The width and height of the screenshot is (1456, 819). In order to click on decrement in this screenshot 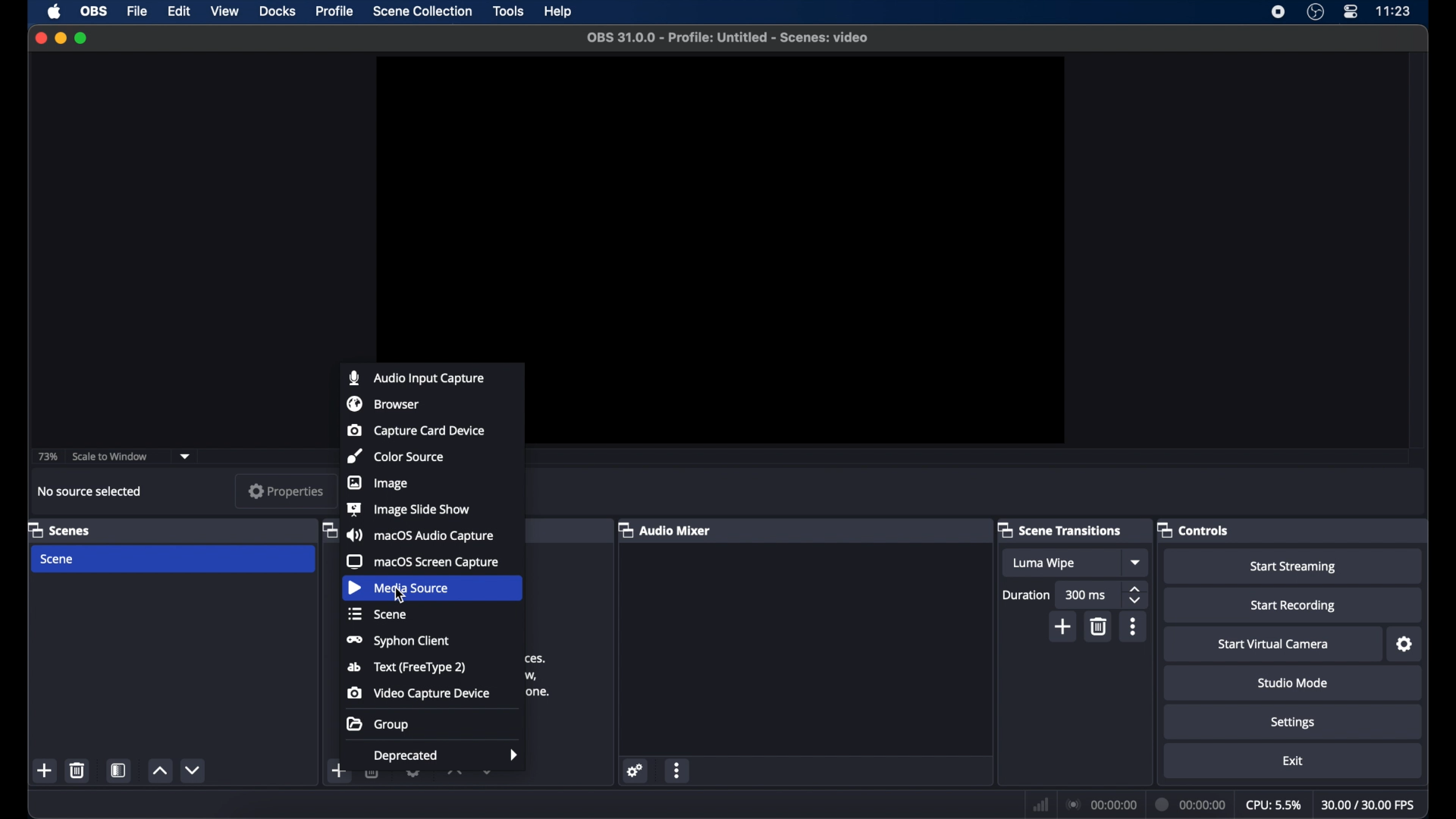, I will do `click(193, 770)`.